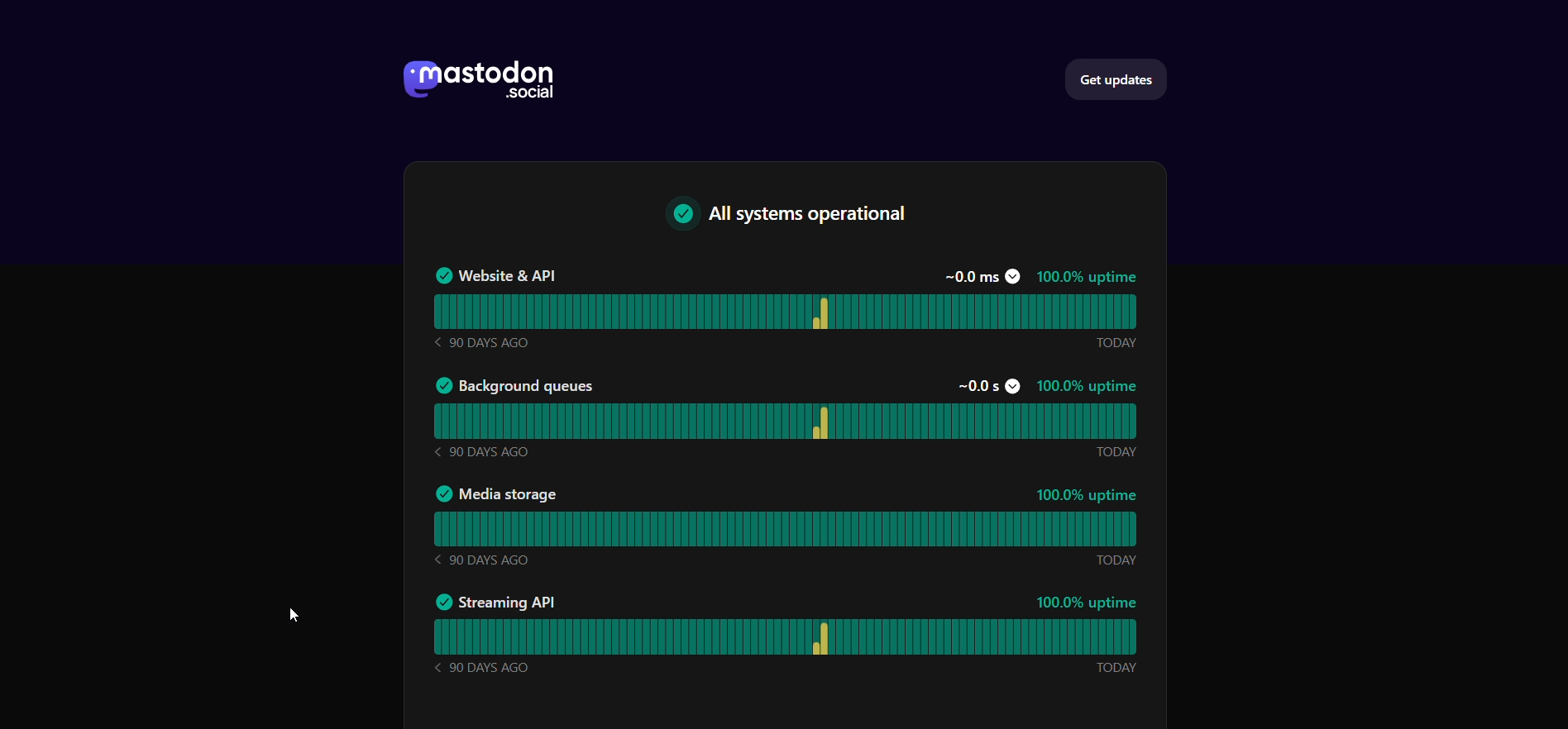 The image size is (1568, 729). Describe the element at coordinates (789, 526) in the screenshot. I see `media storage status` at that location.